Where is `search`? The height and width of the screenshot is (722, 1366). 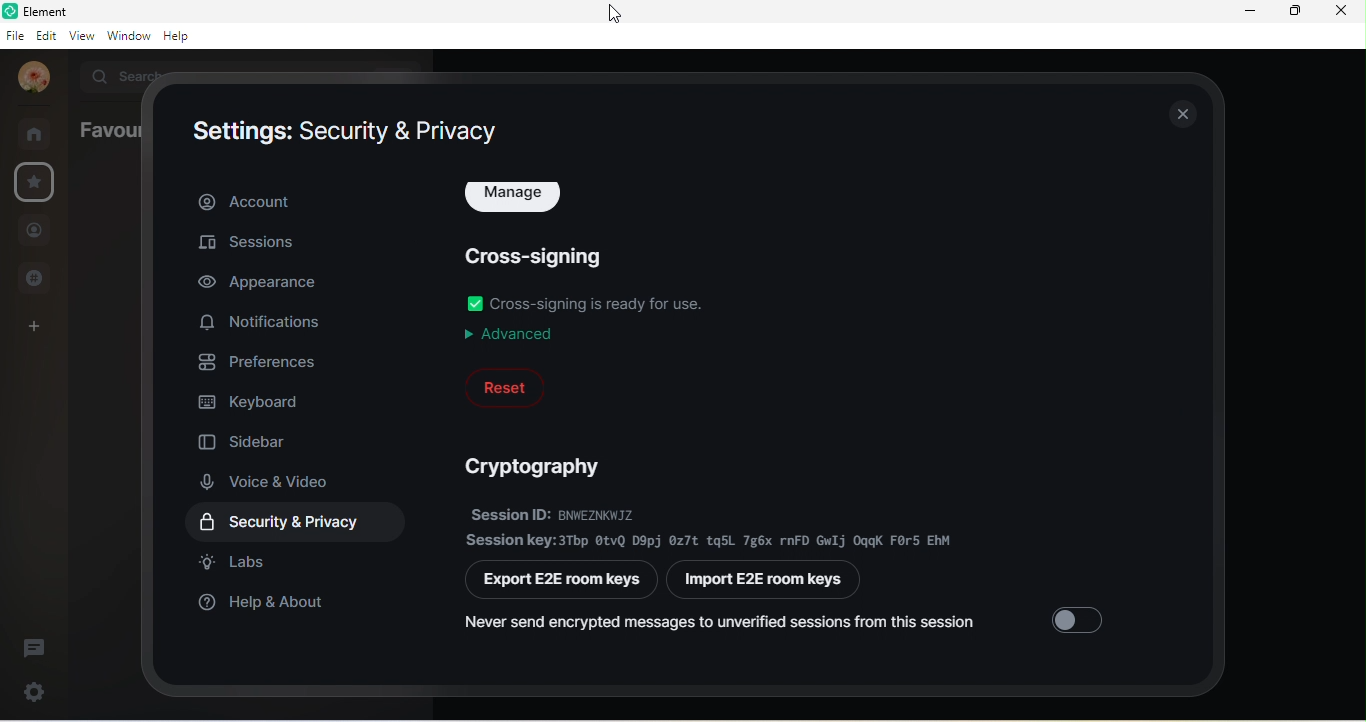
search is located at coordinates (129, 75).